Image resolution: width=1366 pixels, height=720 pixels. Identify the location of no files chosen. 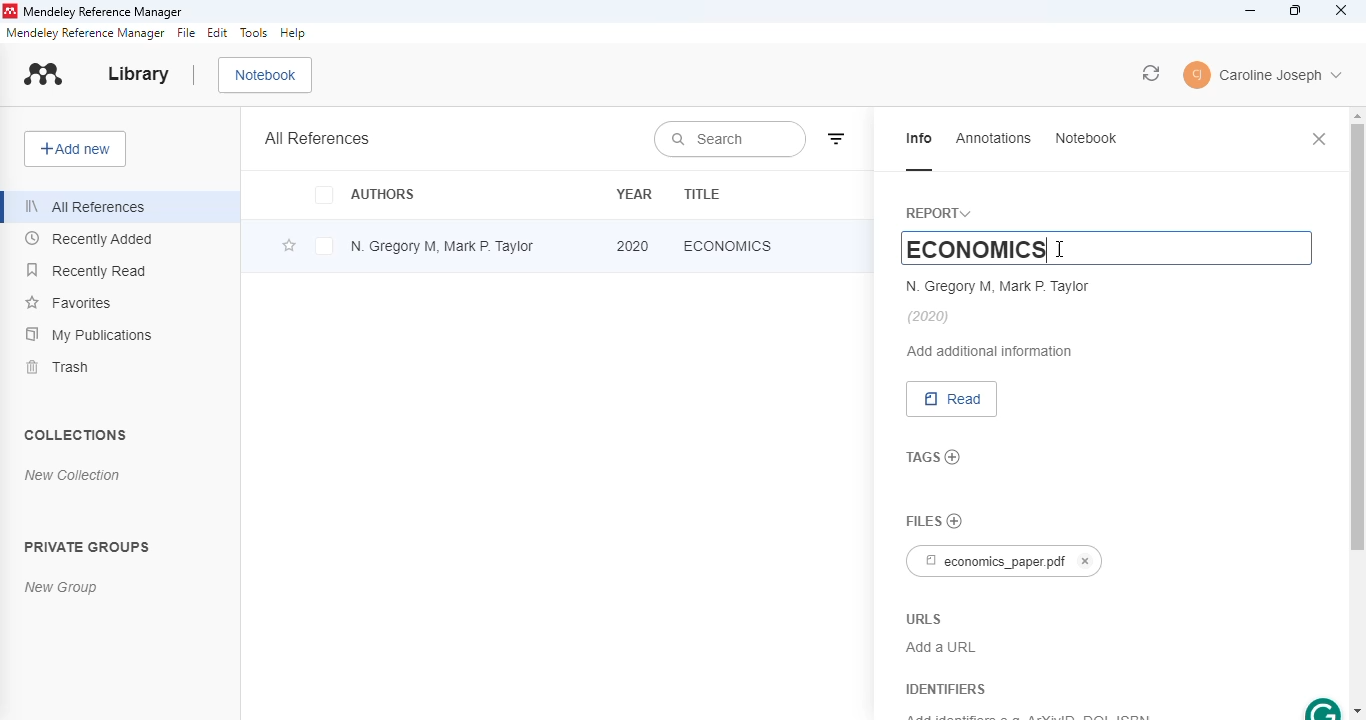
(955, 521).